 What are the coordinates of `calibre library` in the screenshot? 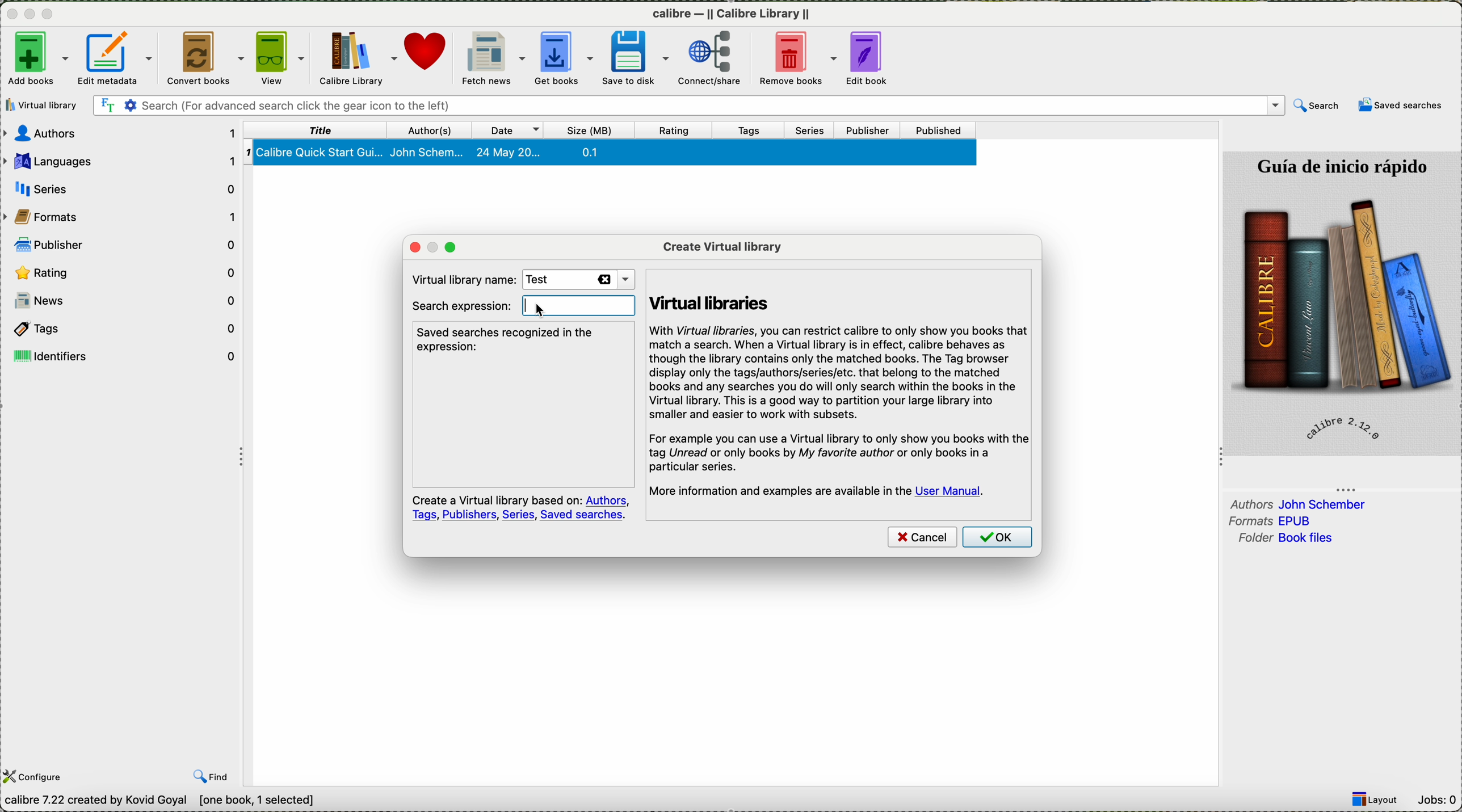 It's located at (358, 58).